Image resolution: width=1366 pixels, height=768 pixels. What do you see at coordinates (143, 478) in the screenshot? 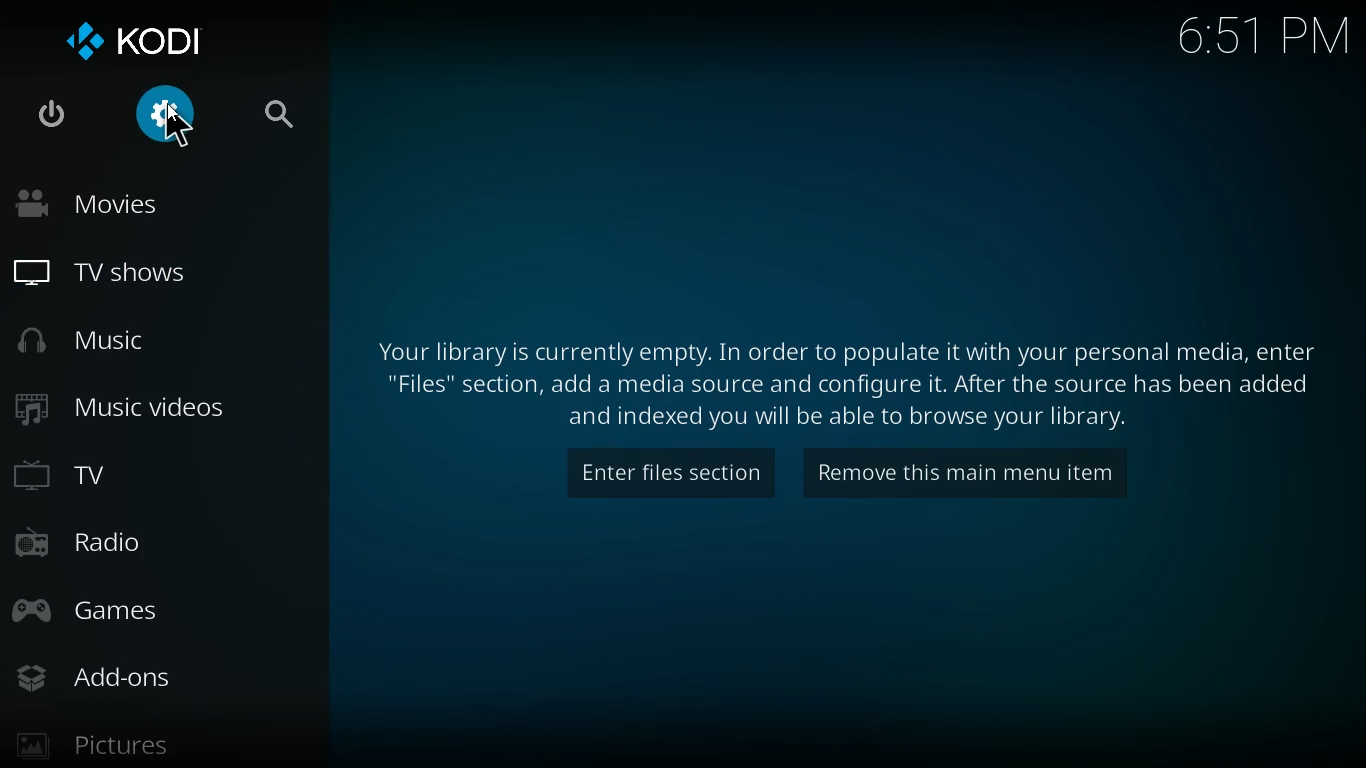
I see `tv` at bounding box center [143, 478].